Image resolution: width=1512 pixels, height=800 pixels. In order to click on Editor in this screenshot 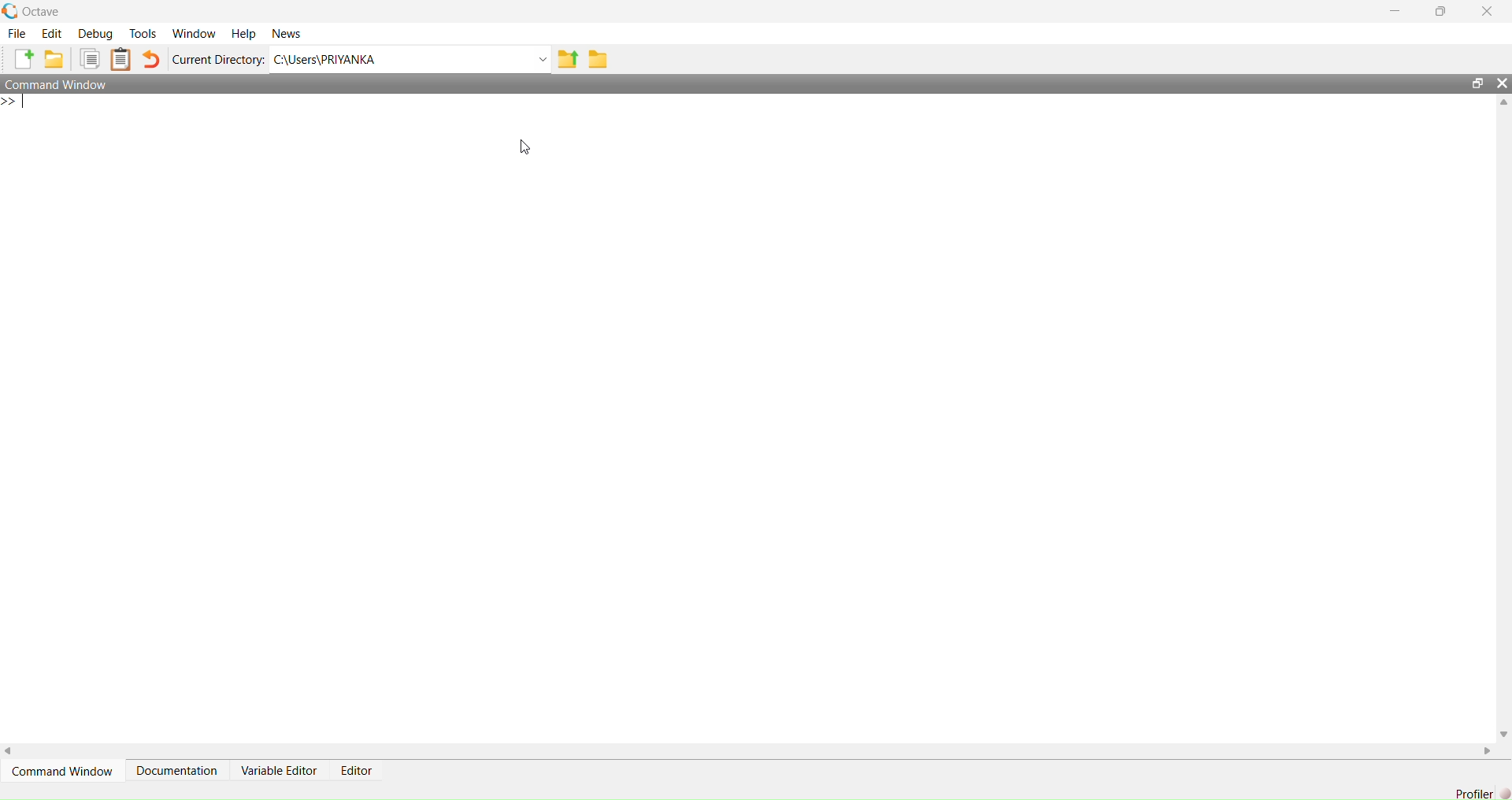, I will do `click(354, 768)`.